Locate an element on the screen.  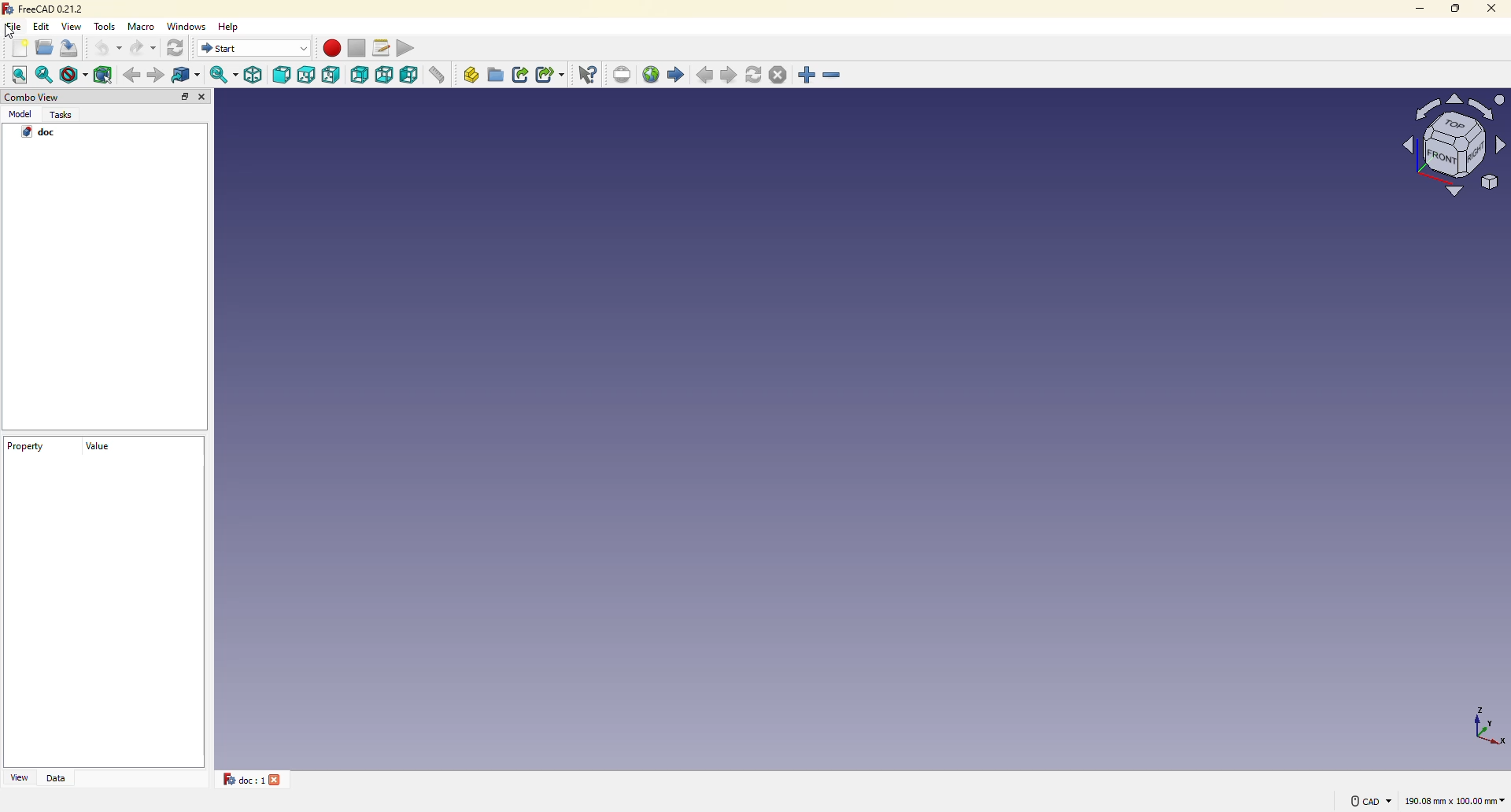
view is located at coordinates (18, 777).